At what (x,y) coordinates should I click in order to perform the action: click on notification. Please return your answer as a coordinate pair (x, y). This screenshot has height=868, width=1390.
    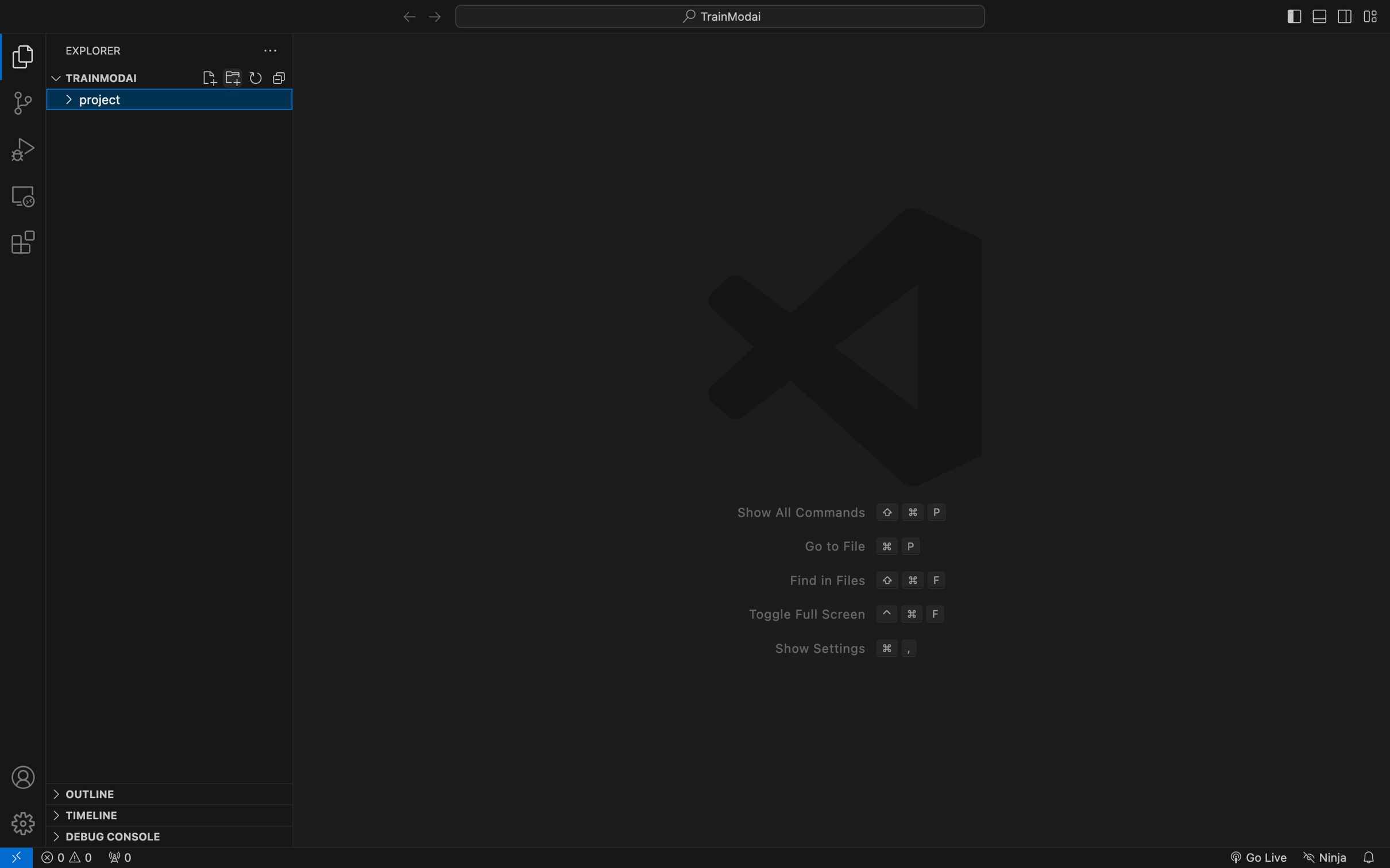
    Looking at the image, I should click on (1371, 856).